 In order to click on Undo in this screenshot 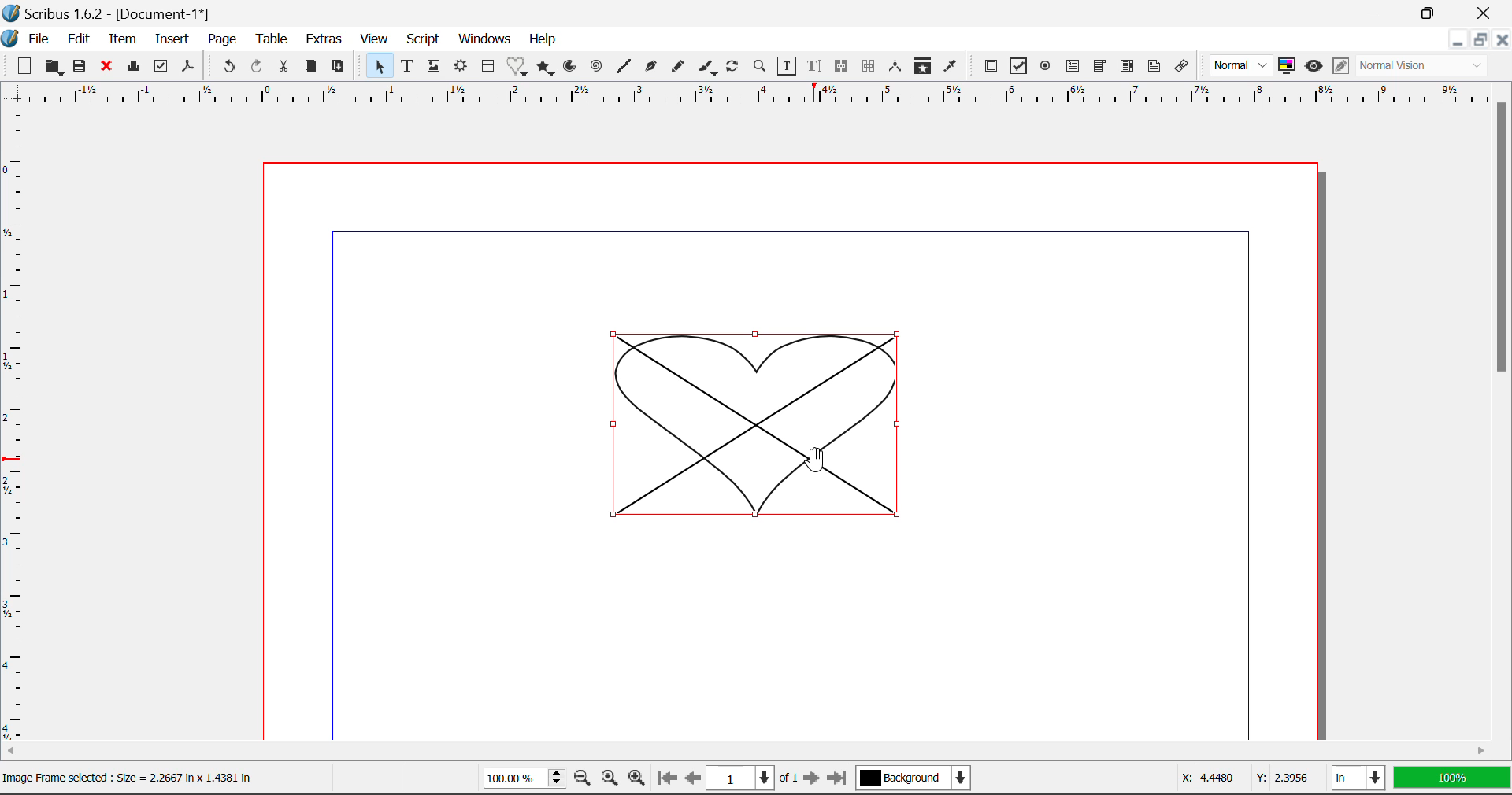, I will do `click(226, 67)`.